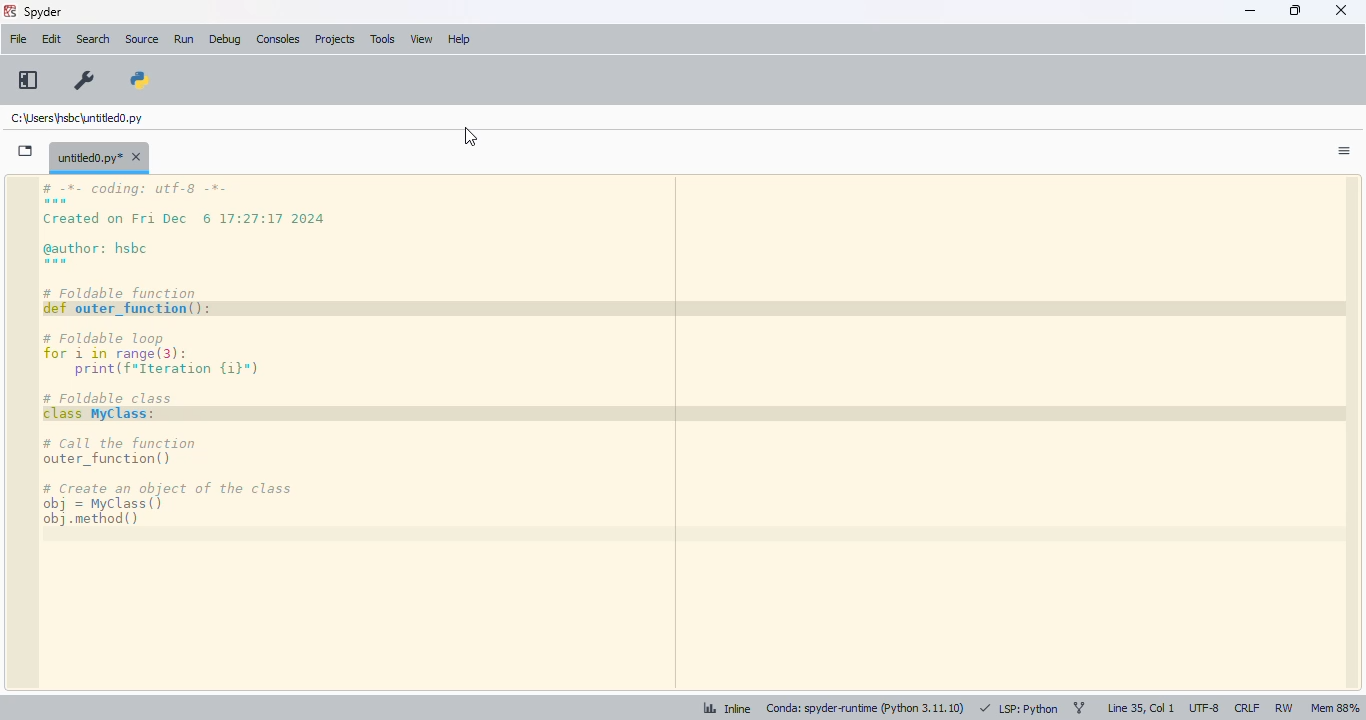 The height and width of the screenshot is (720, 1366). Describe the element at coordinates (43, 12) in the screenshot. I see `spyder` at that location.